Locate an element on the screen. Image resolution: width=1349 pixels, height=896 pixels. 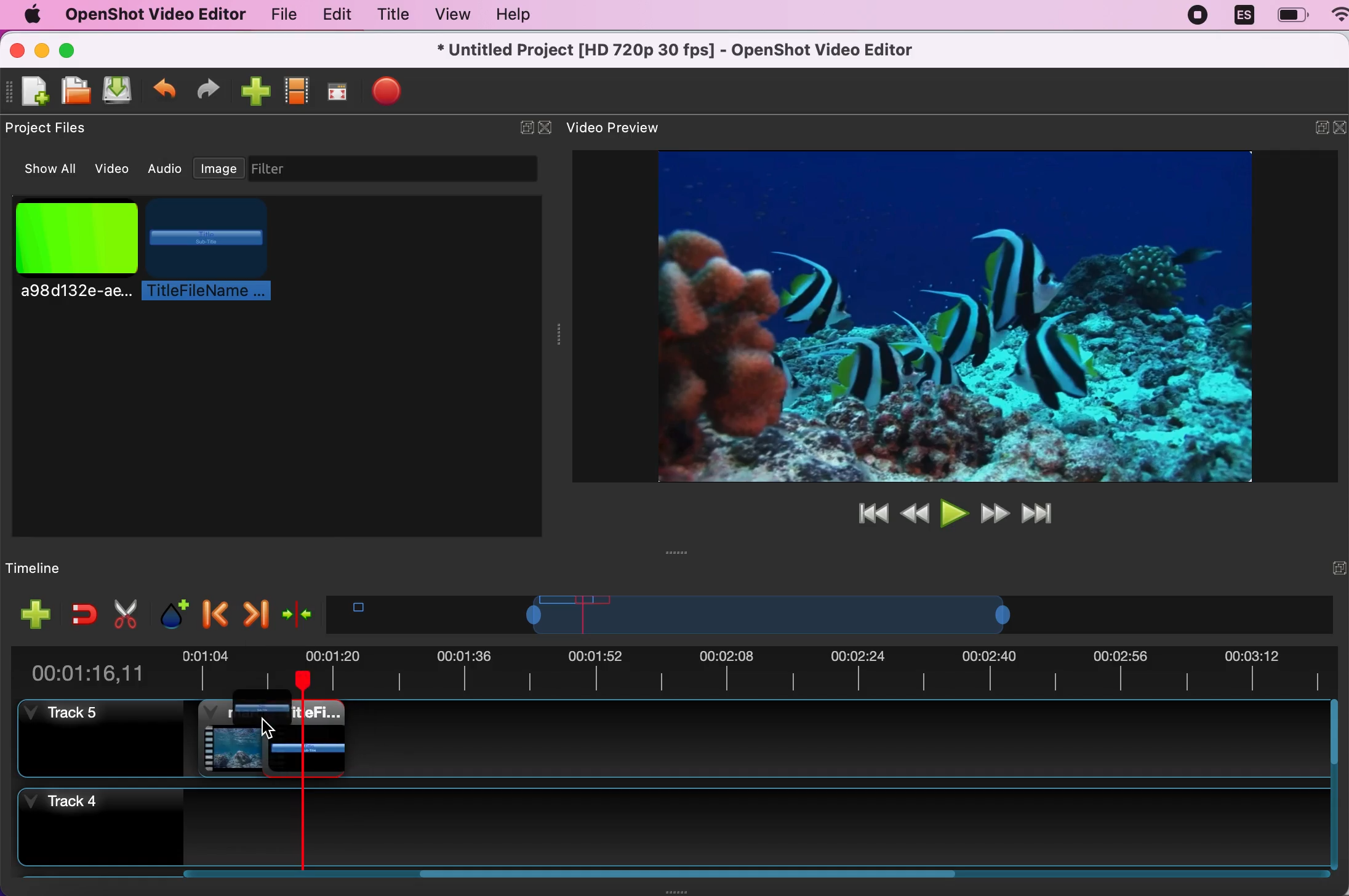
minimize is located at coordinates (1312, 130).